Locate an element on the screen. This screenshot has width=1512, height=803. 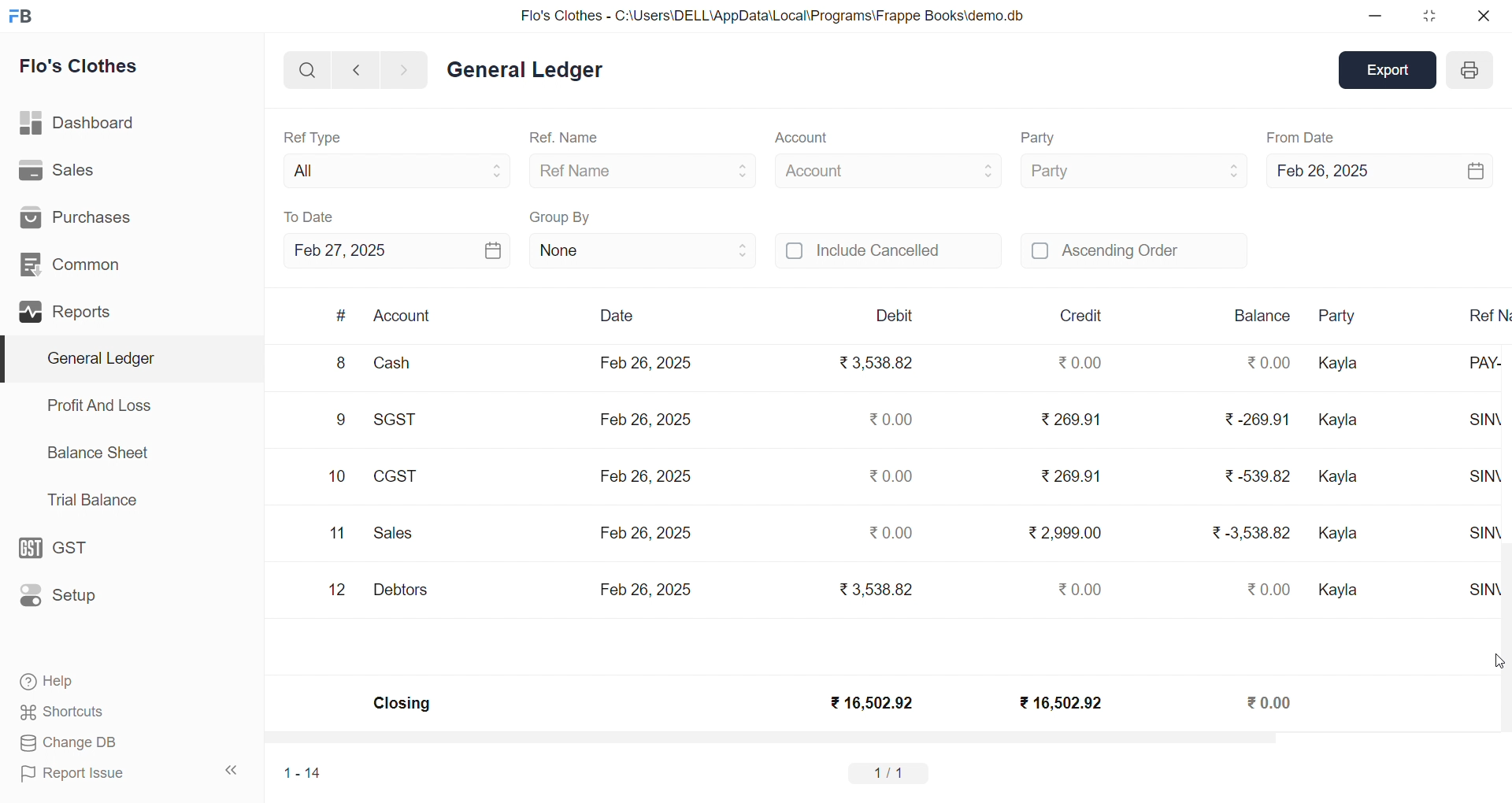
Feb 27, 2025 is located at coordinates (397, 250).